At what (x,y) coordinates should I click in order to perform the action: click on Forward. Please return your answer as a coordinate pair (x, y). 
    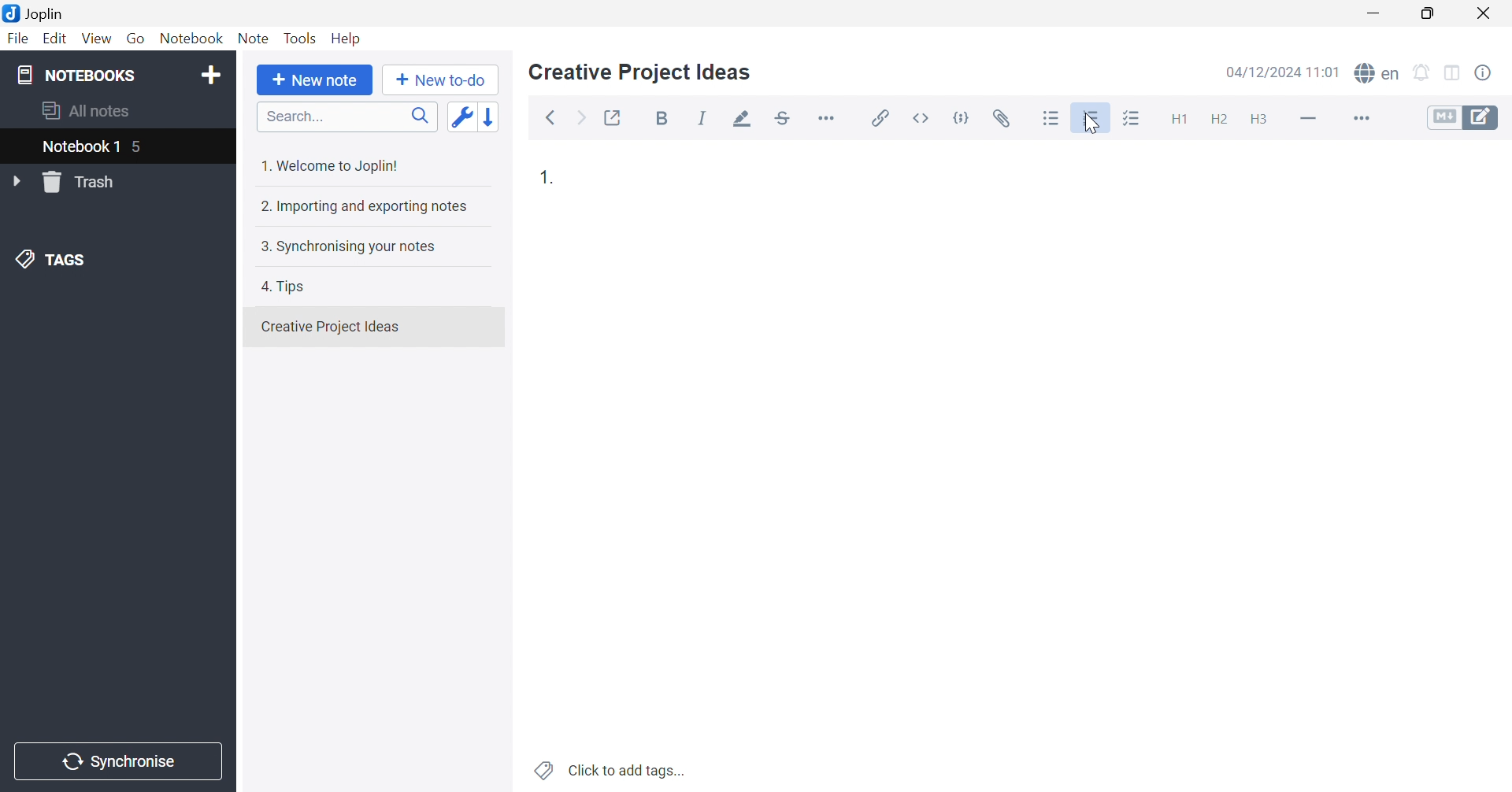
    Looking at the image, I should click on (580, 120).